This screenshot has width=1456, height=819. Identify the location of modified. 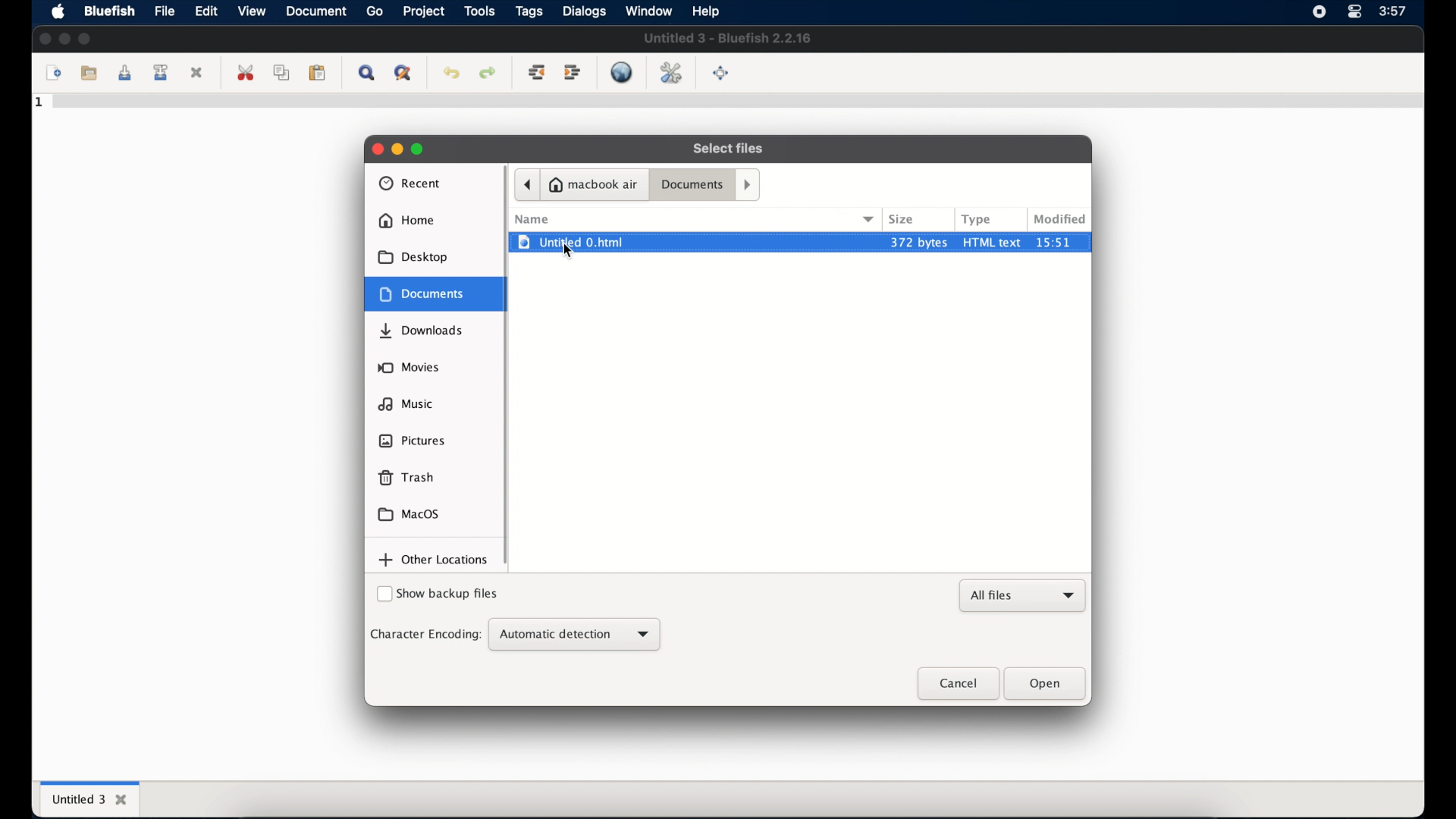
(1060, 219).